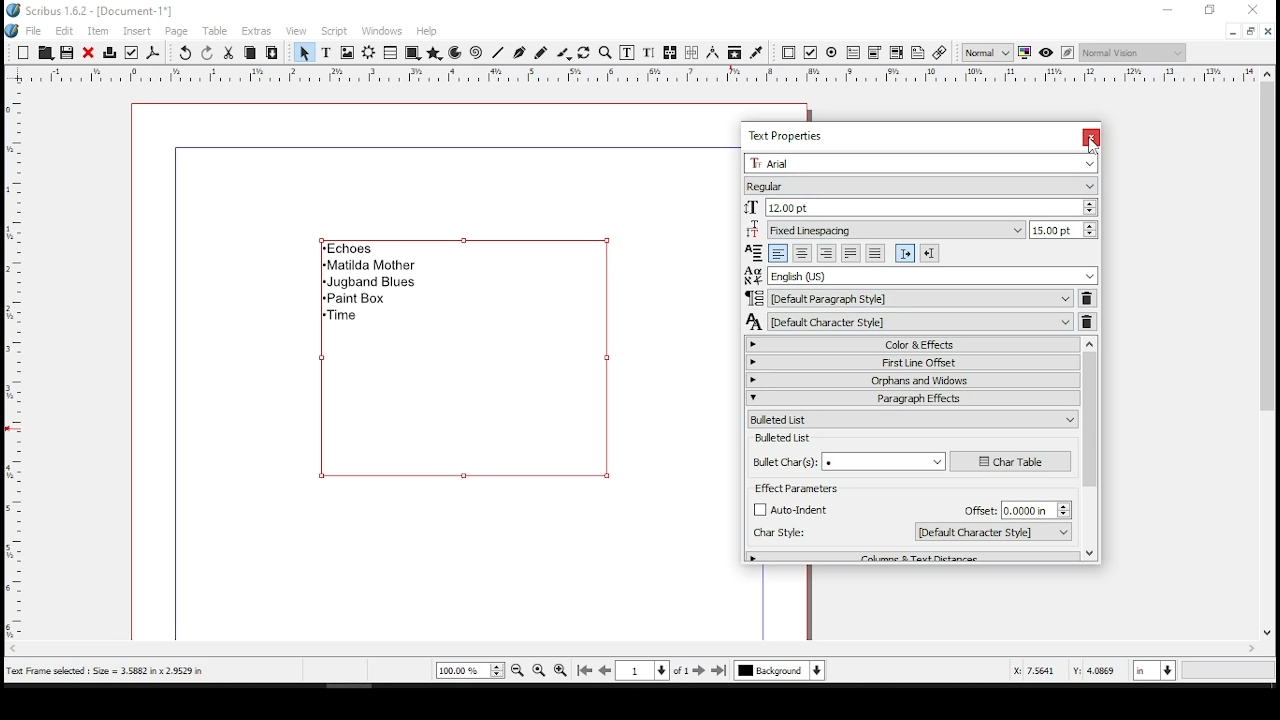 Image resolution: width=1280 pixels, height=720 pixels. I want to click on preflight verifier, so click(132, 51).